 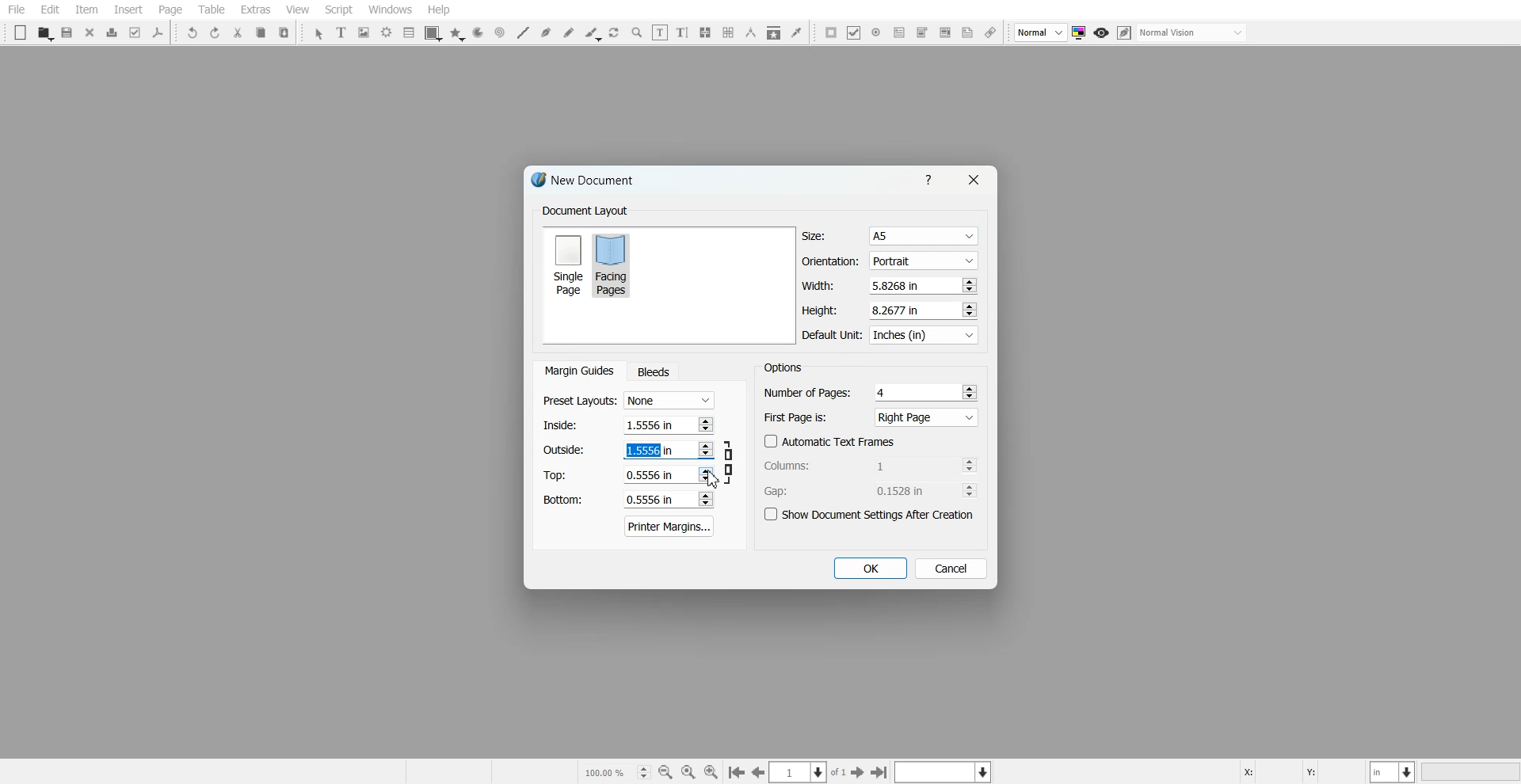 What do you see at coordinates (339, 10) in the screenshot?
I see `Script` at bounding box center [339, 10].